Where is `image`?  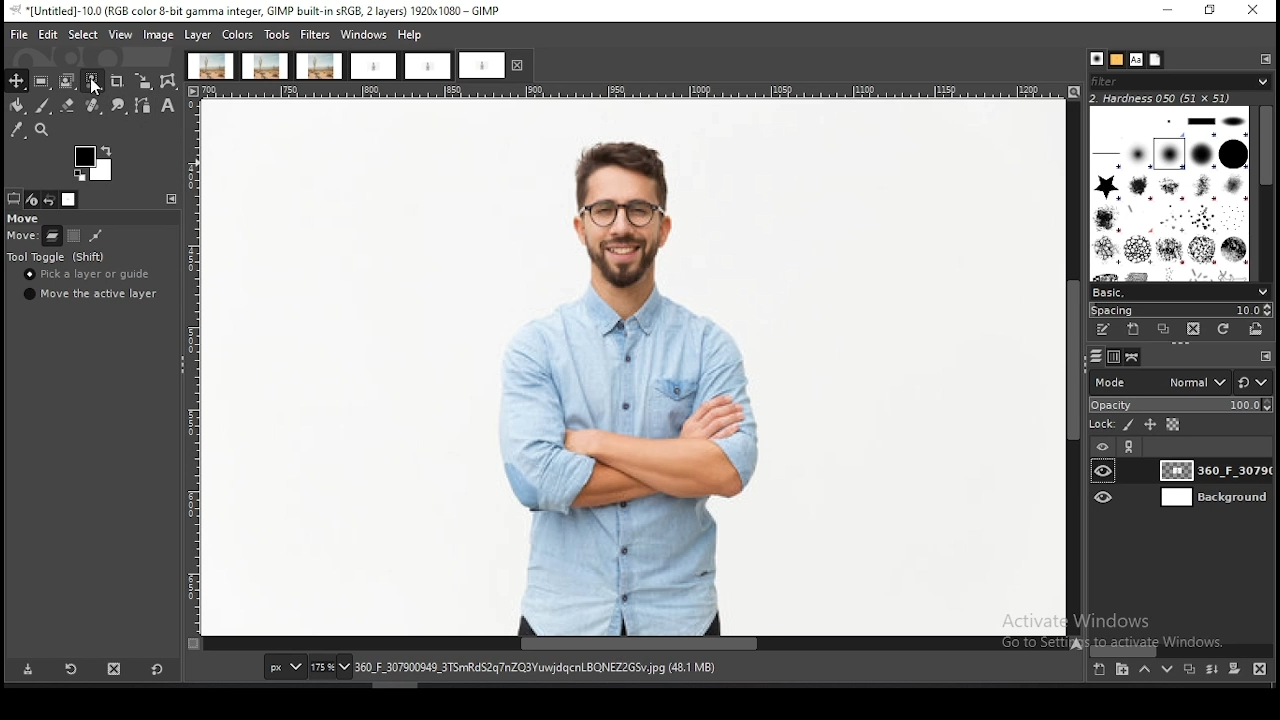 image is located at coordinates (158, 36).